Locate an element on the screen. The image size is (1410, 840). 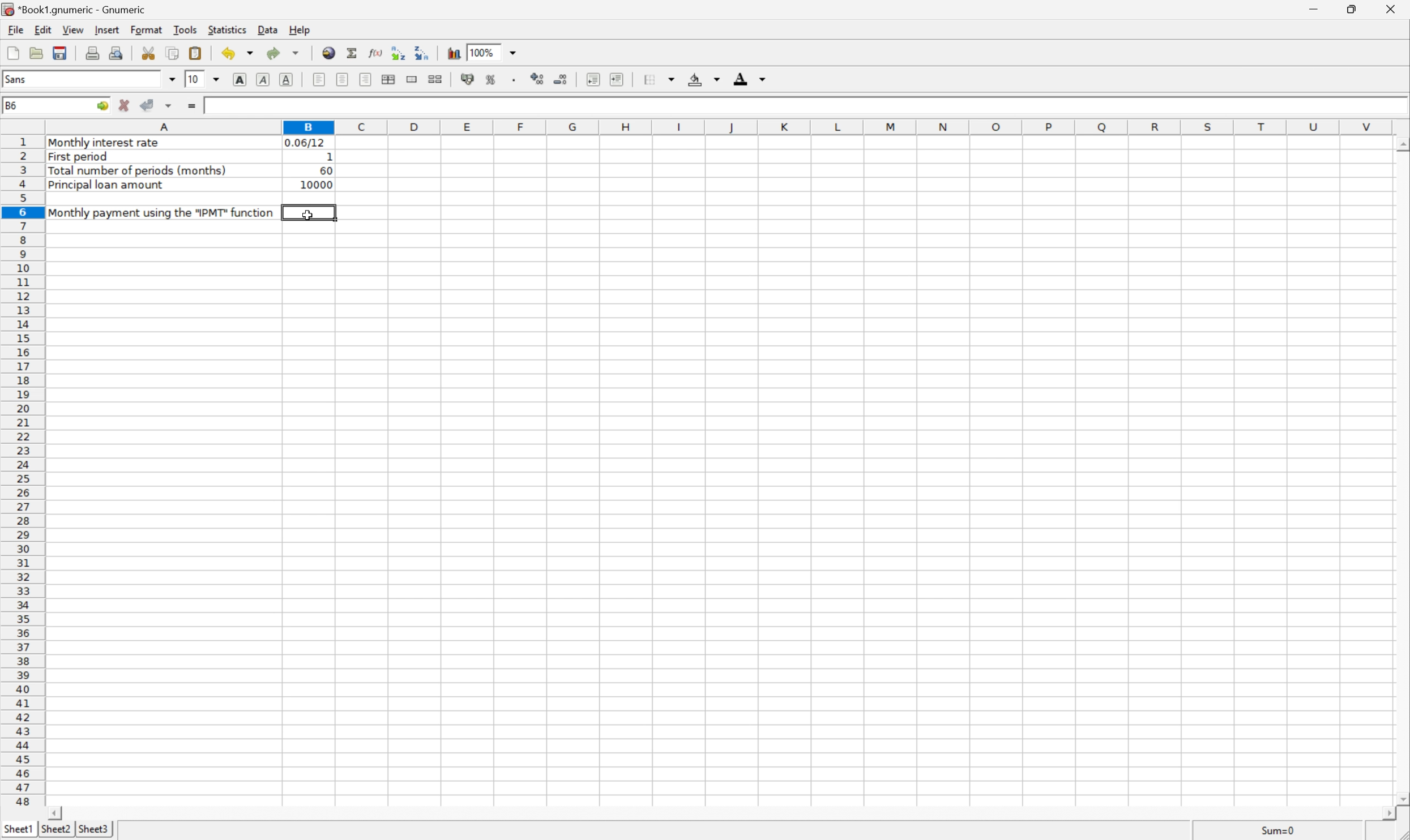
10 is located at coordinates (193, 79).